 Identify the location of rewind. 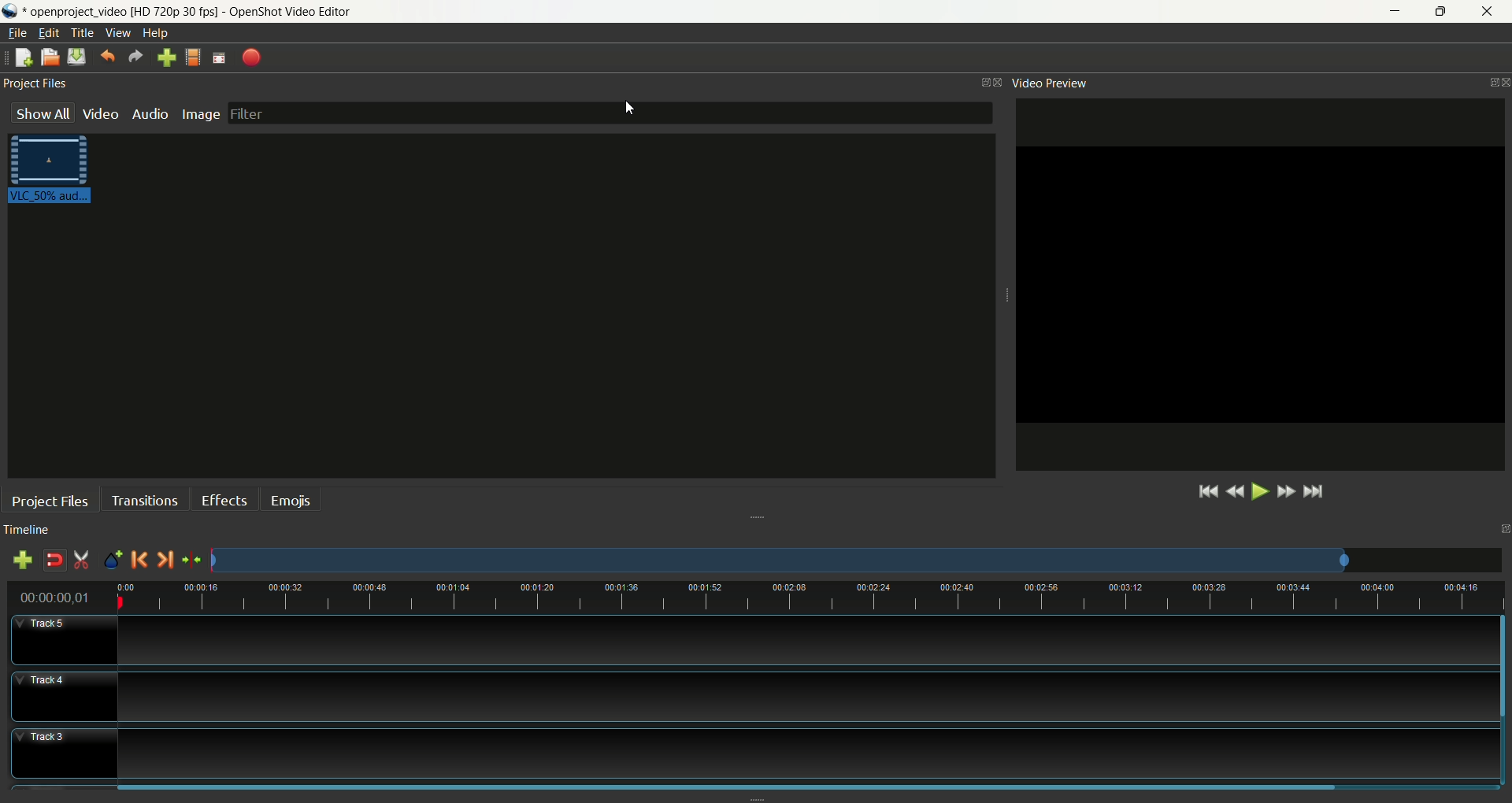
(1236, 490).